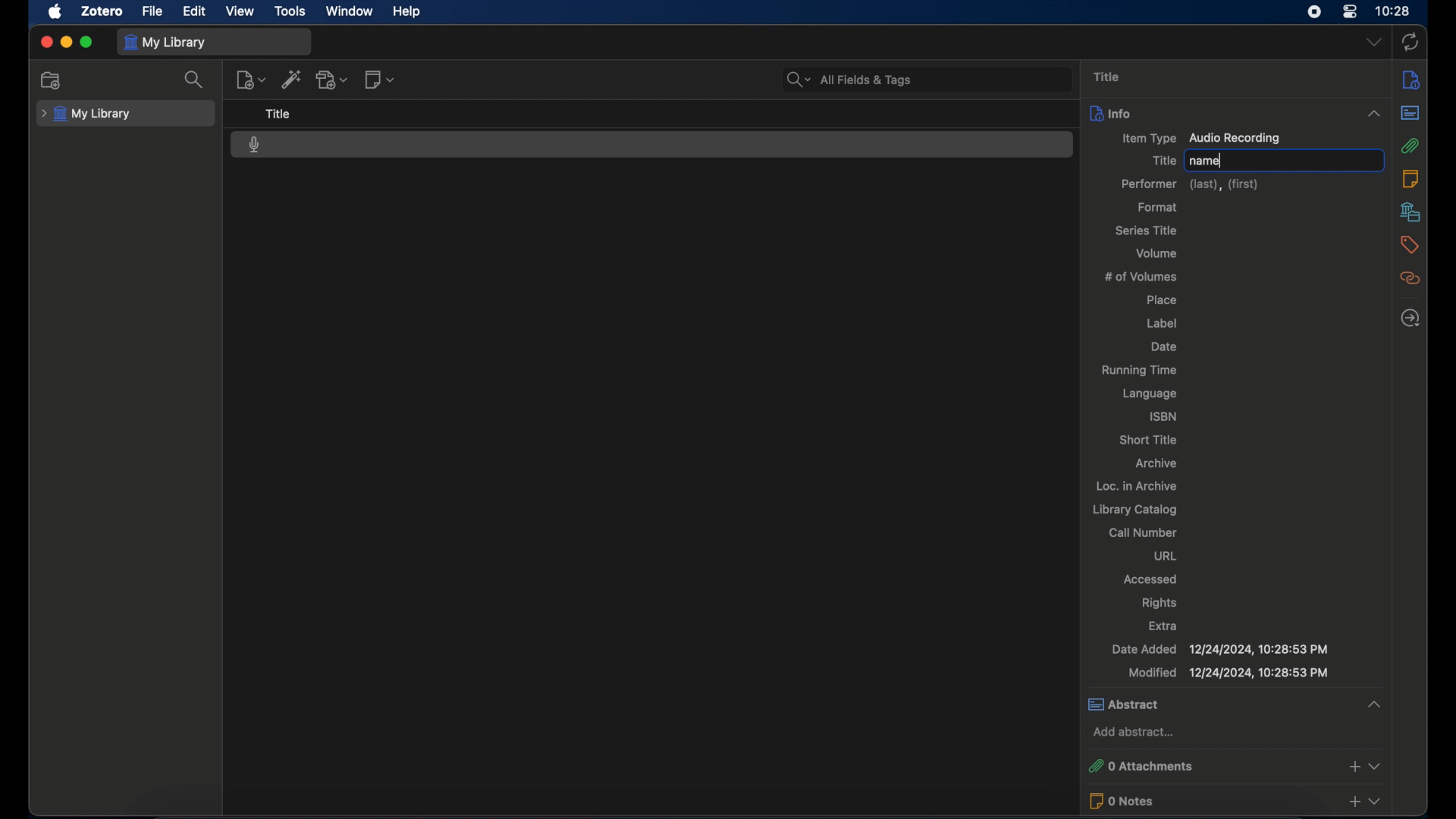 This screenshot has width=1456, height=819. Describe the element at coordinates (1137, 486) in the screenshot. I see `loc. in archive` at that location.